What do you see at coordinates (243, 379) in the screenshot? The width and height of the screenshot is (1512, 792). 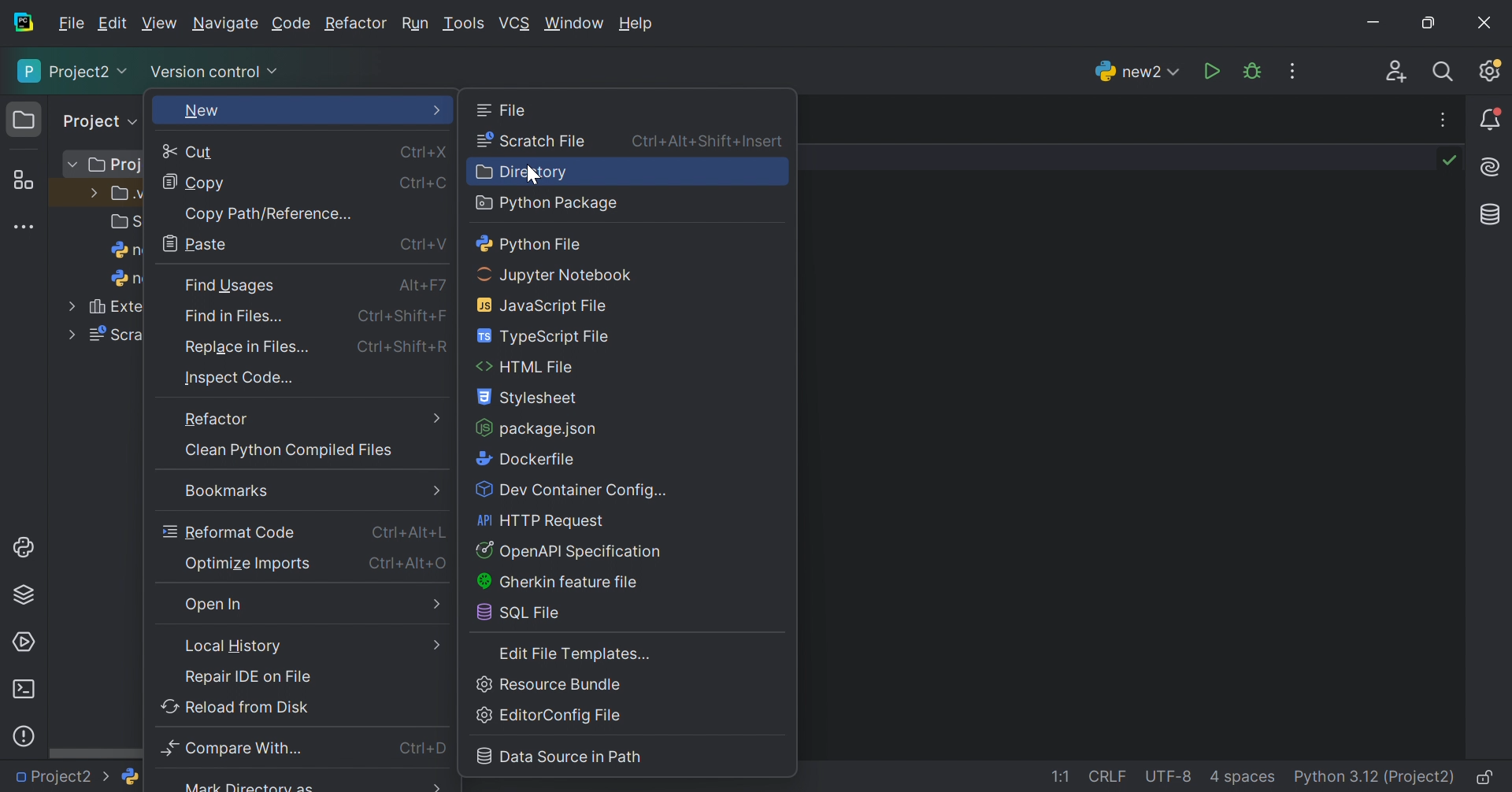 I see `Inspect Code...` at bounding box center [243, 379].